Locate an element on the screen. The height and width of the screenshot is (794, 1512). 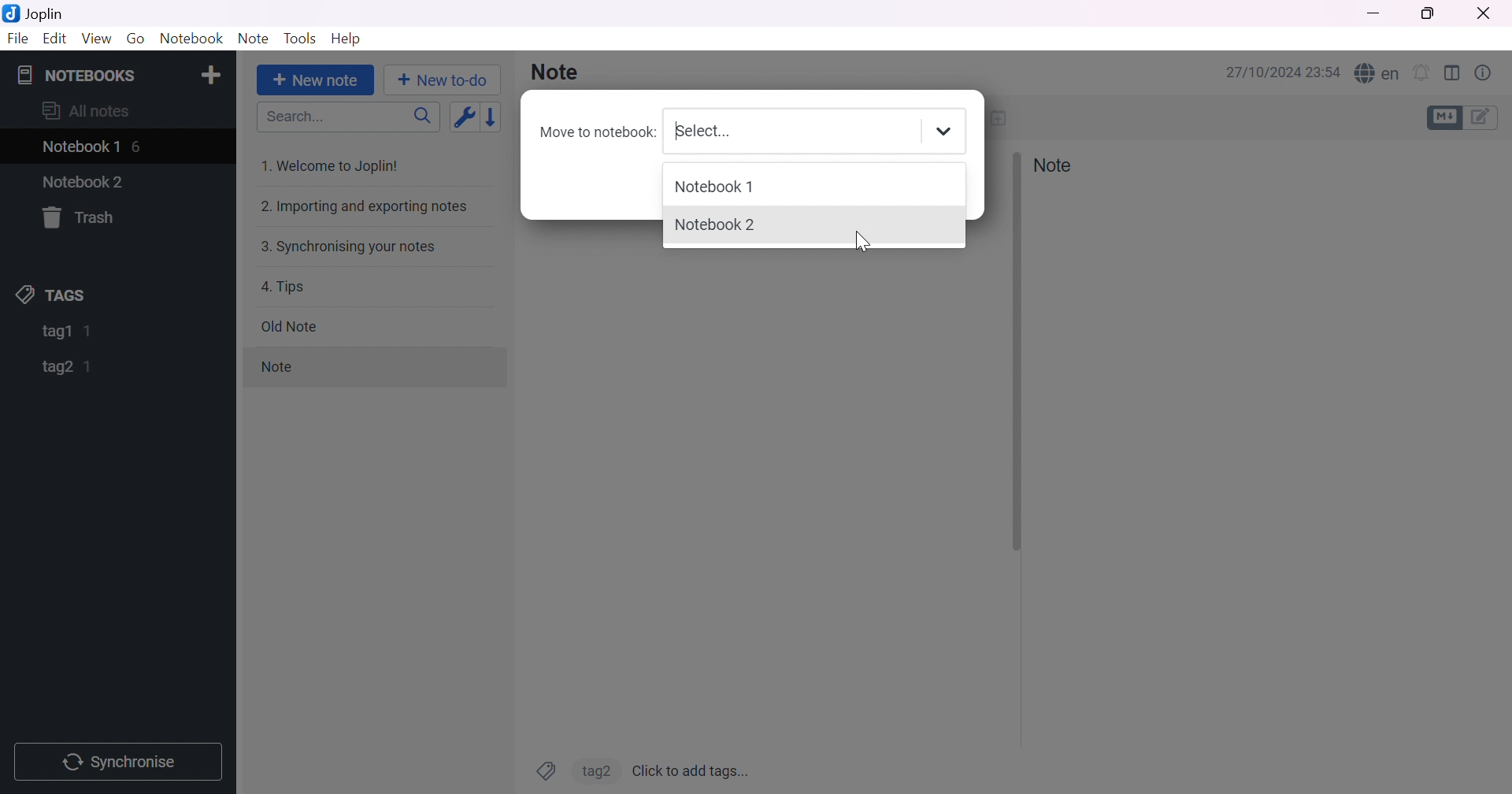
Drop down is located at coordinates (943, 131).